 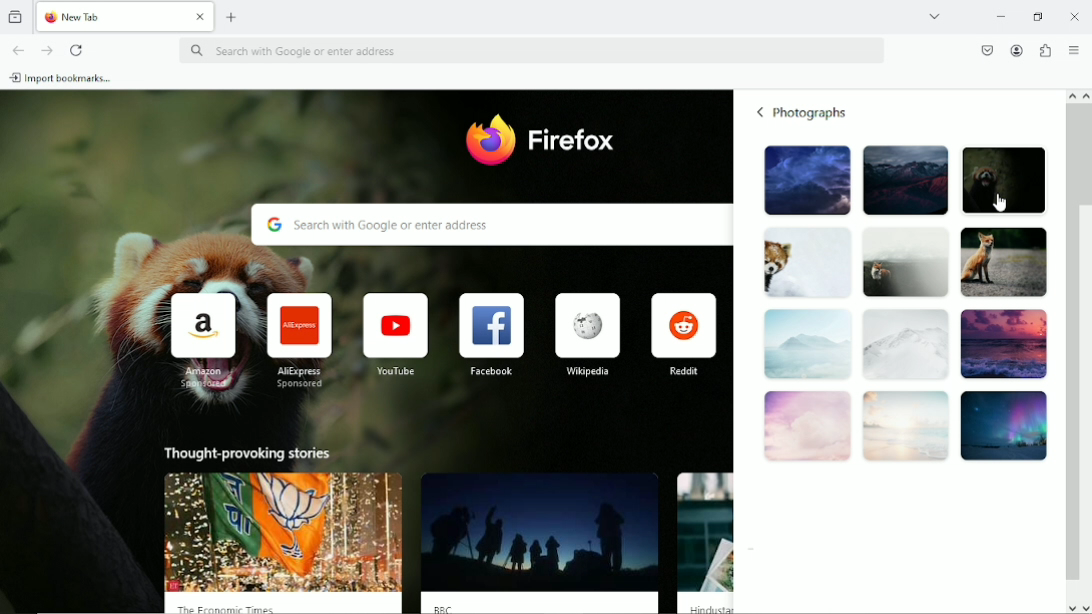 What do you see at coordinates (110, 16) in the screenshot?
I see `New tab` at bounding box center [110, 16].